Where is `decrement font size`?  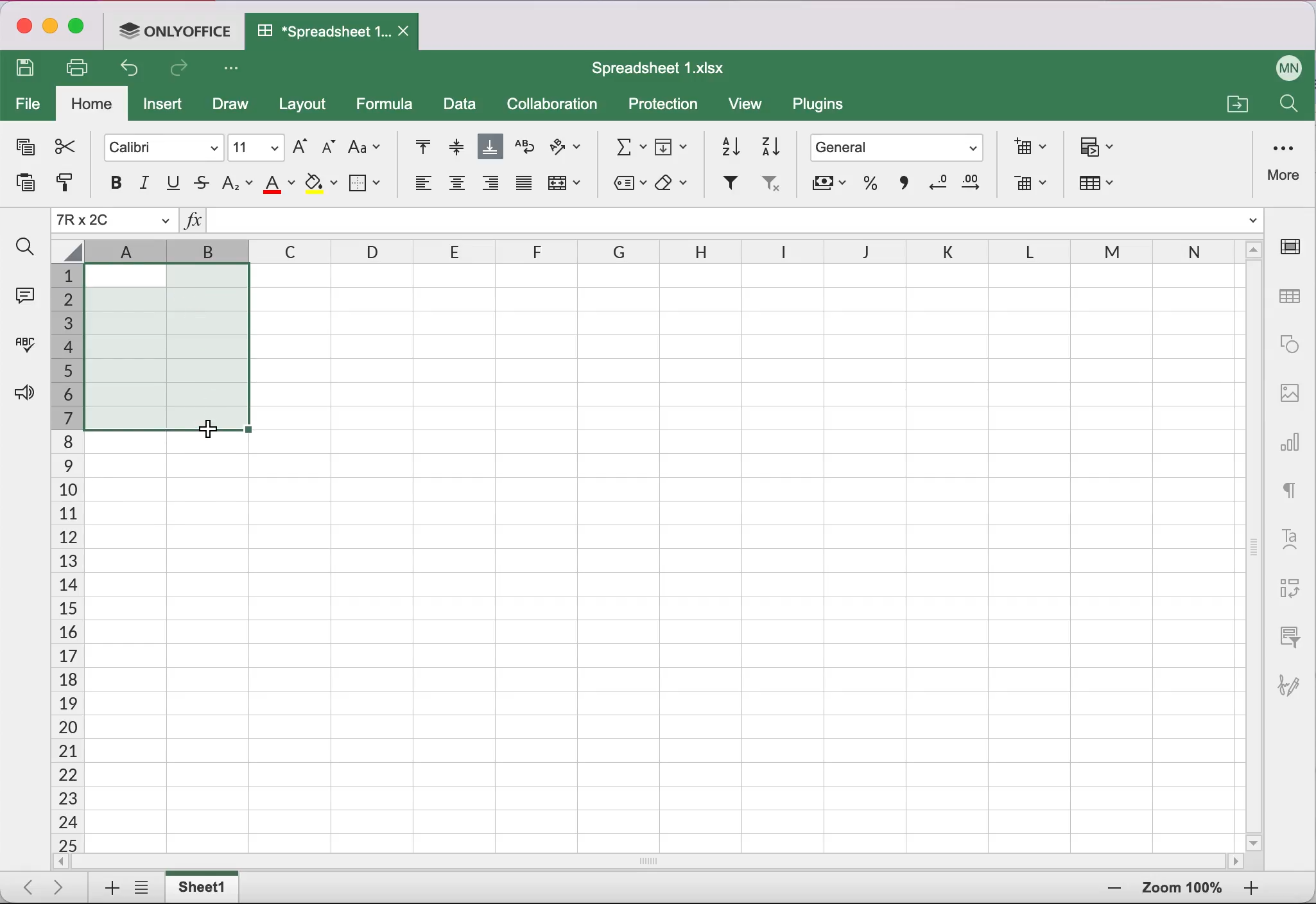
decrement font size is located at coordinates (327, 148).